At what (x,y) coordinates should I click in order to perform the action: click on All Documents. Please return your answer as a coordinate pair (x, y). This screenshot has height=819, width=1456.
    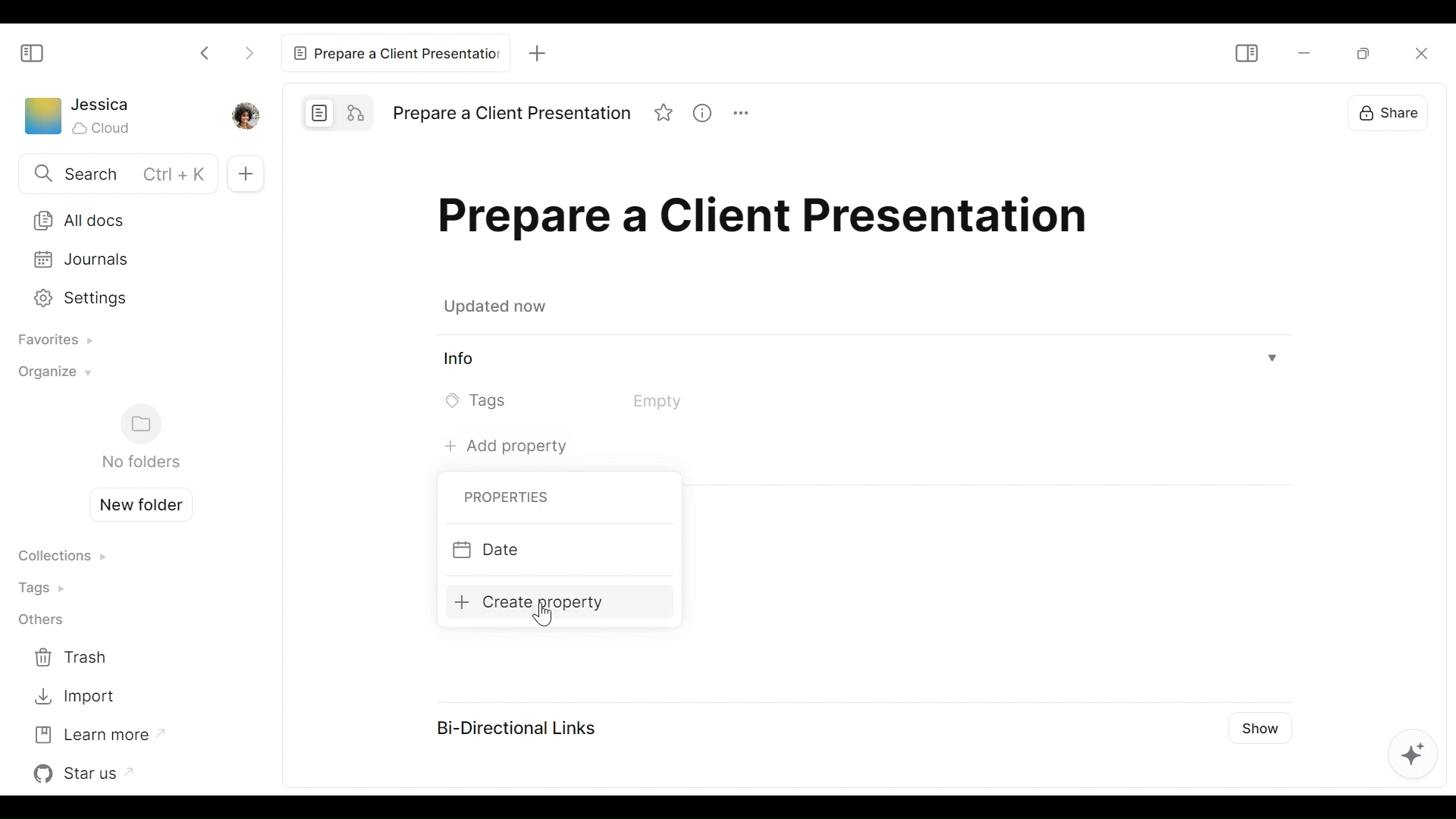
    Looking at the image, I should click on (130, 219).